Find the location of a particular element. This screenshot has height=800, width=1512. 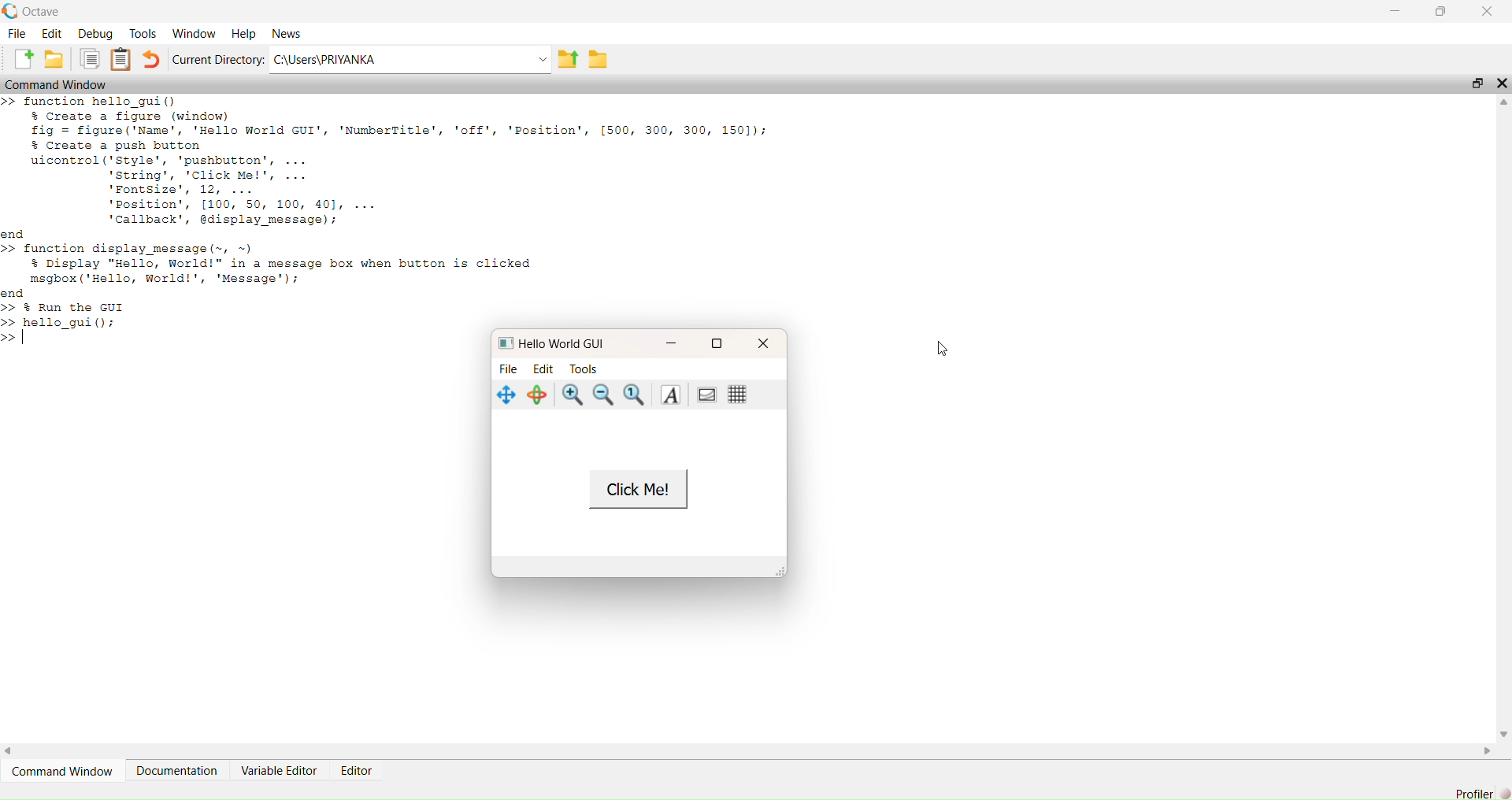

Documentation is located at coordinates (177, 769).